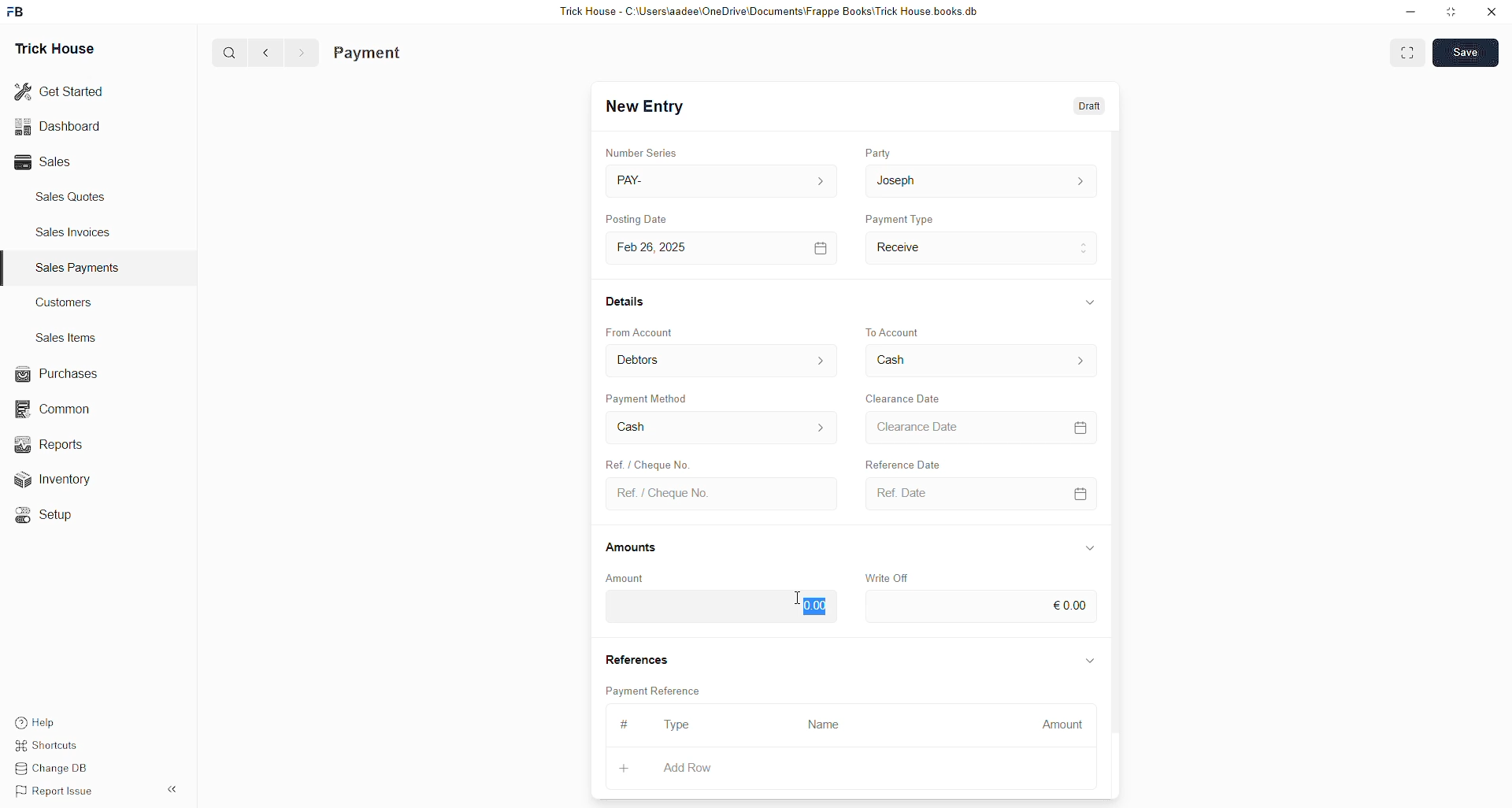 The image size is (1512, 808). I want to click on Dashboard, so click(57, 129).